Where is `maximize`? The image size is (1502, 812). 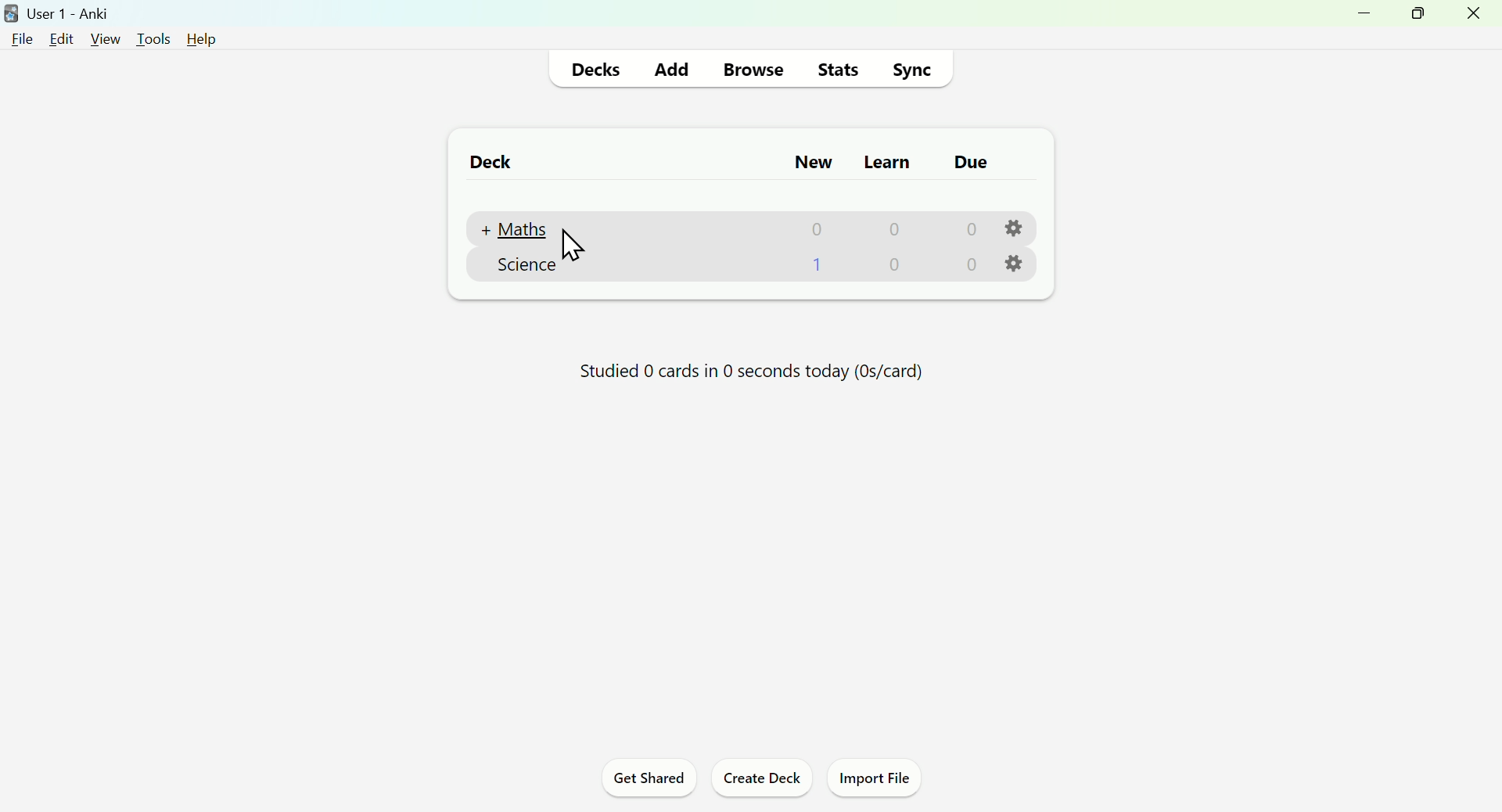
maximize is located at coordinates (1416, 14).